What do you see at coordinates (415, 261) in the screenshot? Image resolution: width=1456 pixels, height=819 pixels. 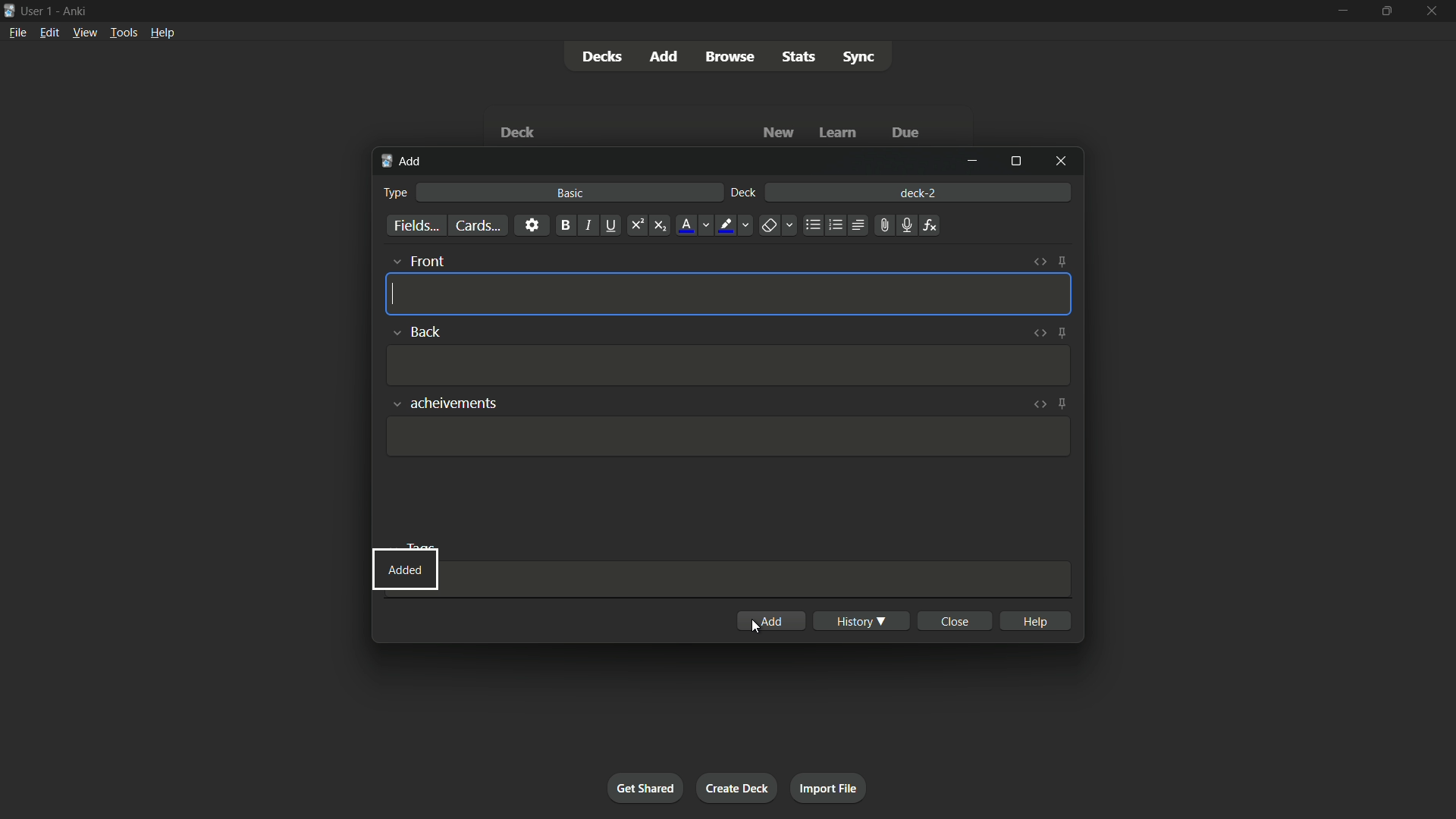 I see `front` at bounding box center [415, 261].